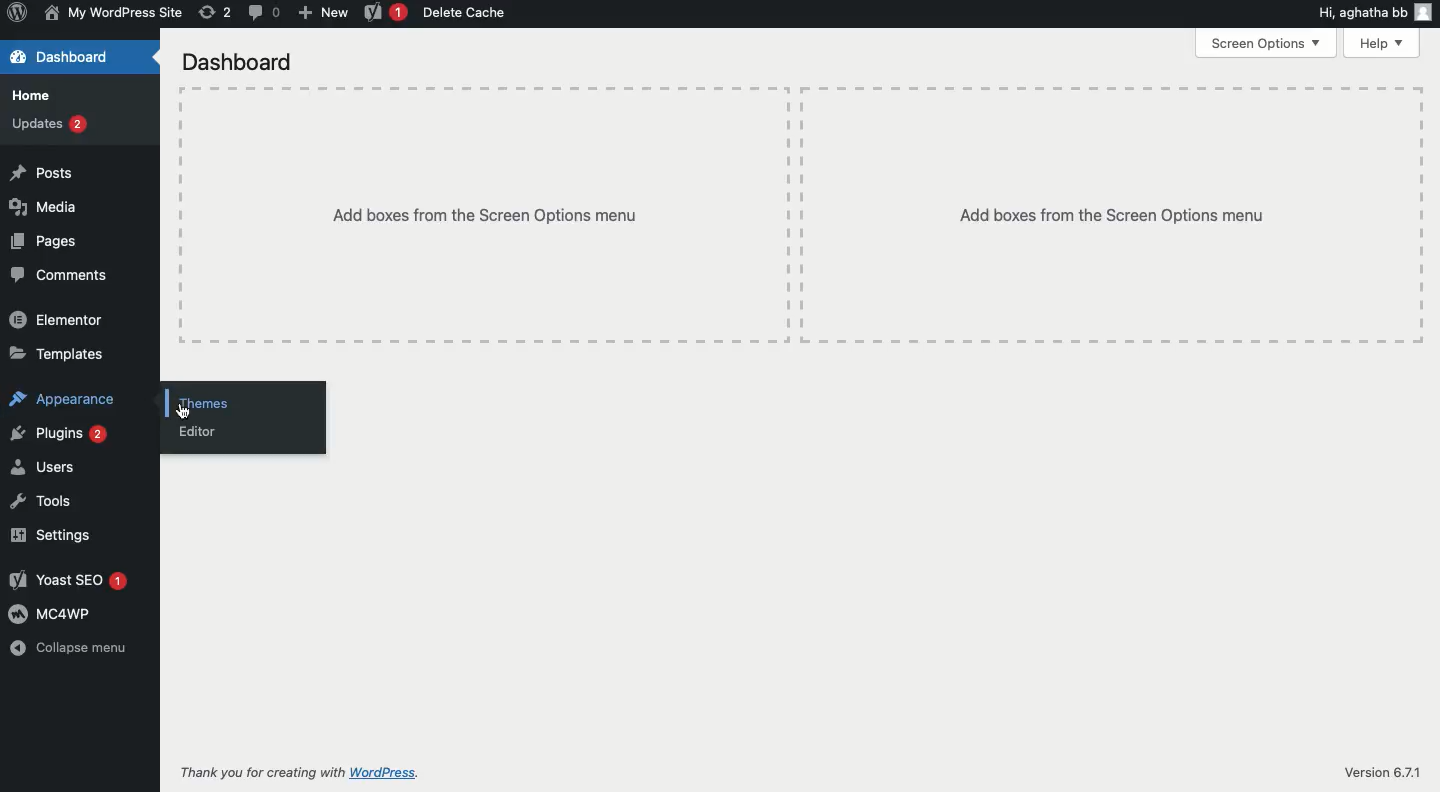 The image size is (1440, 792). I want to click on WordPress, so click(413, 773).